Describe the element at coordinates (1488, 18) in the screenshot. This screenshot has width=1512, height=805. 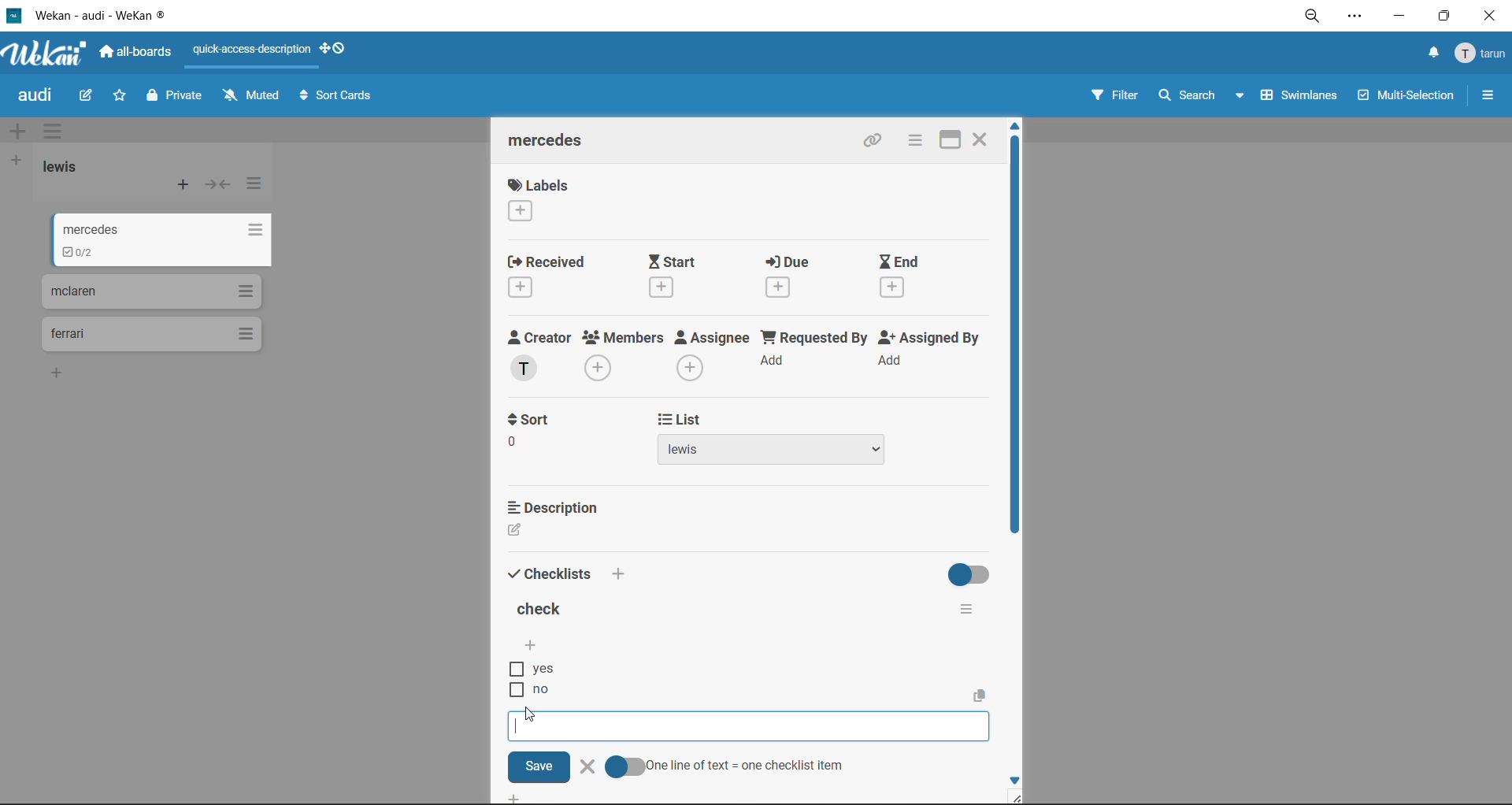
I see `close` at that location.